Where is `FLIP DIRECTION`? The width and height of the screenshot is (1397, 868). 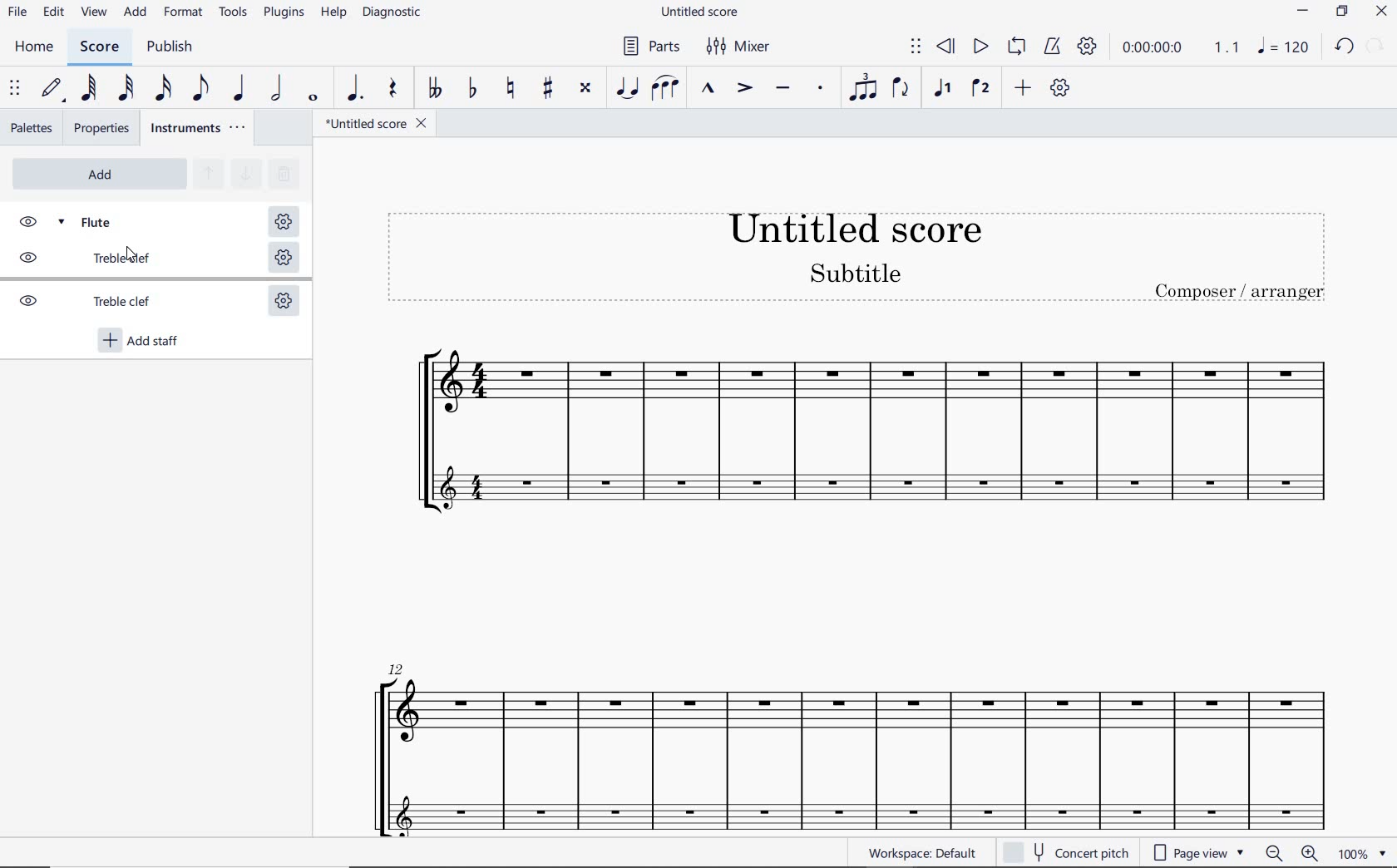 FLIP DIRECTION is located at coordinates (901, 91).